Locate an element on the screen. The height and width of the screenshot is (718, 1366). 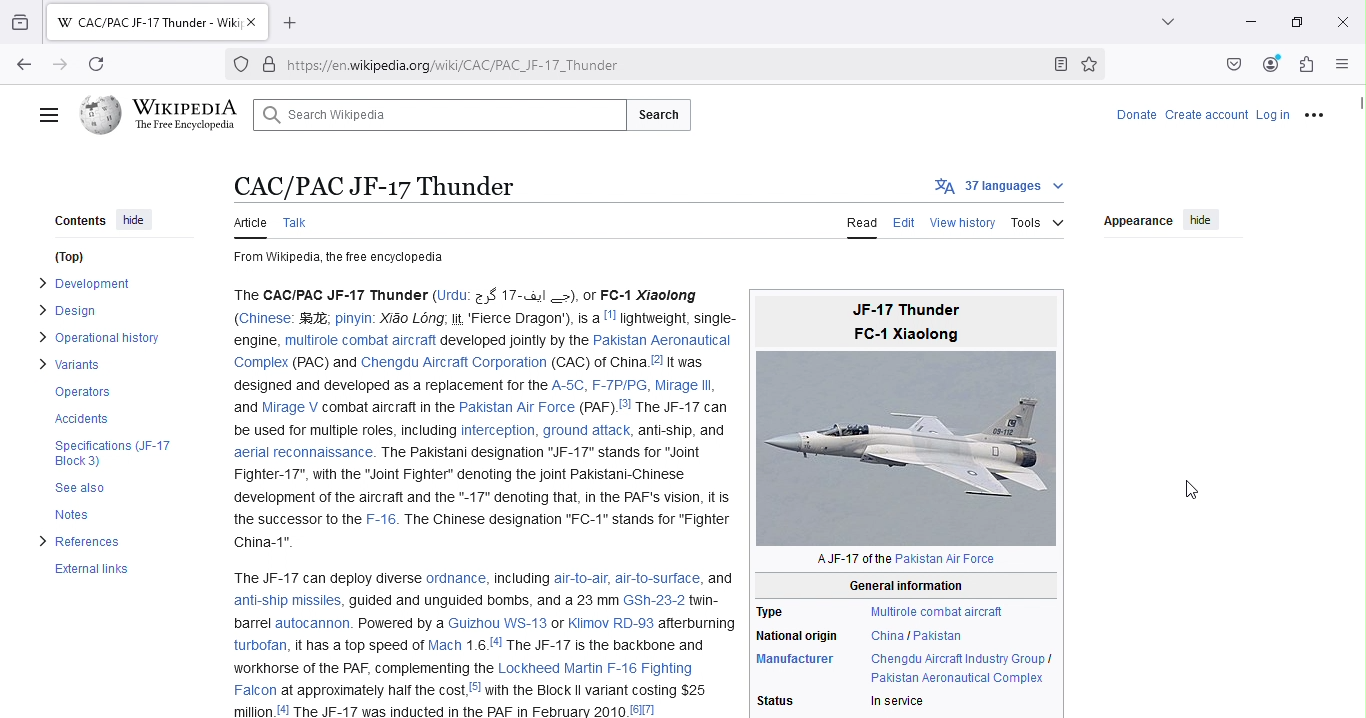
Appearance is located at coordinates (1140, 222).